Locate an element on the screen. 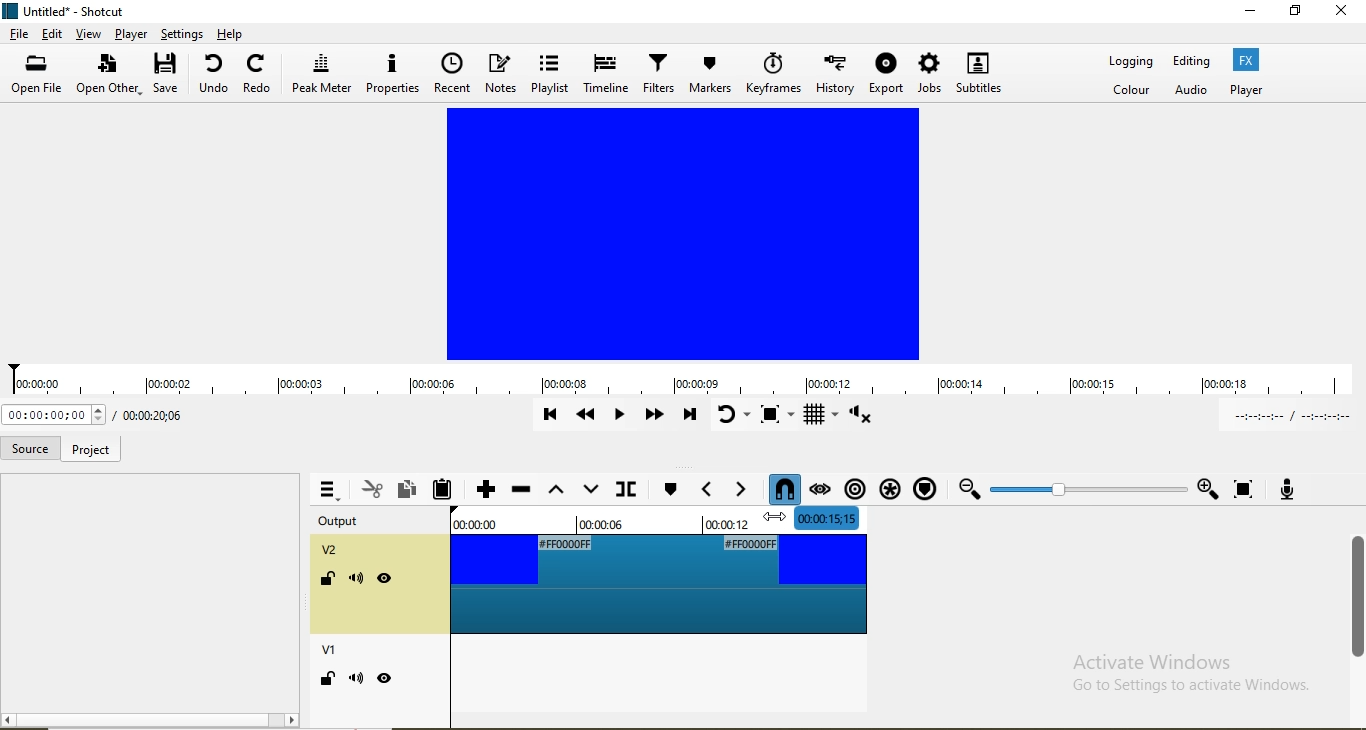 The image size is (1366, 730). Zoom timeline to fit is located at coordinates (1086, 488).